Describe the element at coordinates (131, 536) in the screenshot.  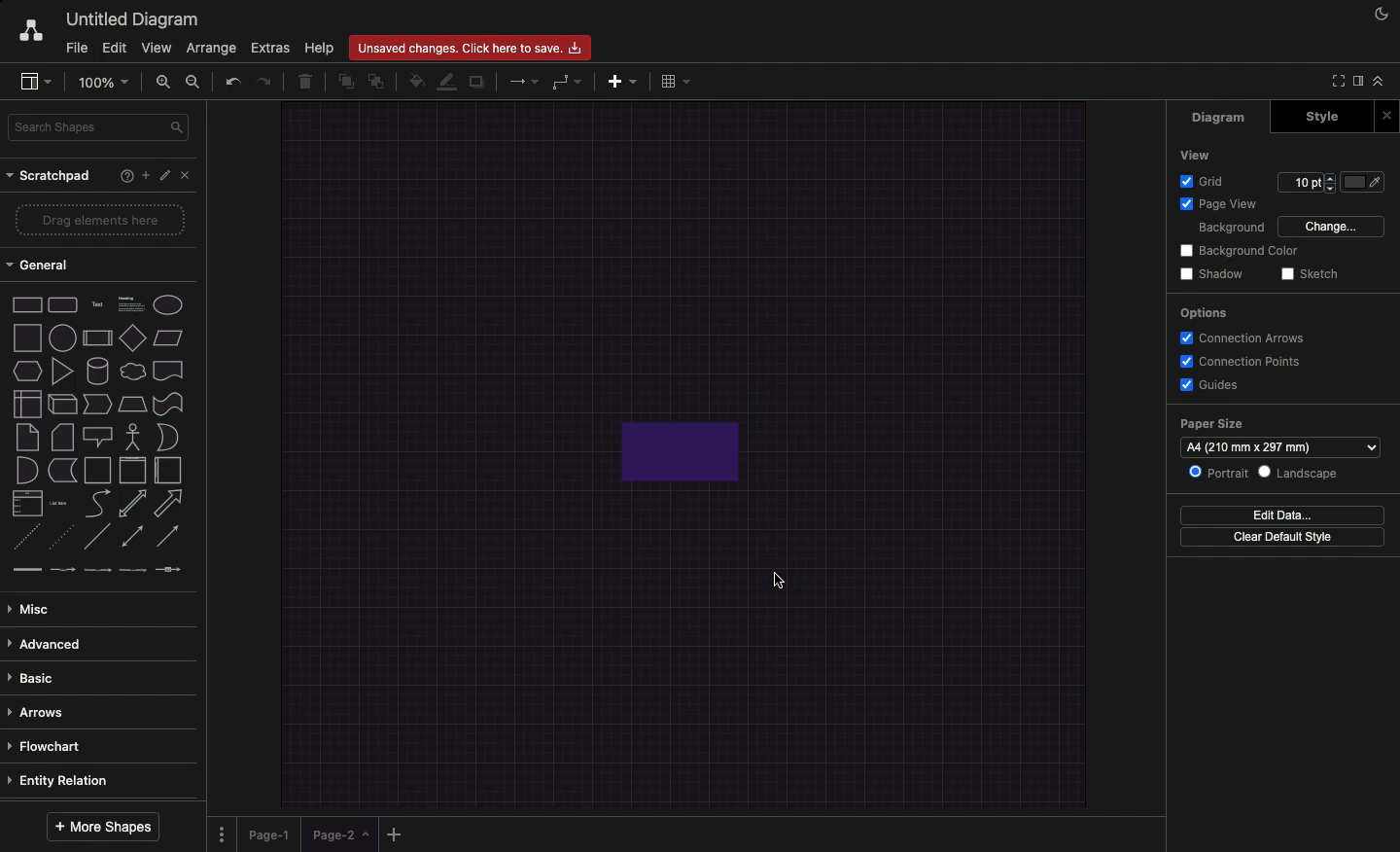
I see `bidirectional connector` at that location.